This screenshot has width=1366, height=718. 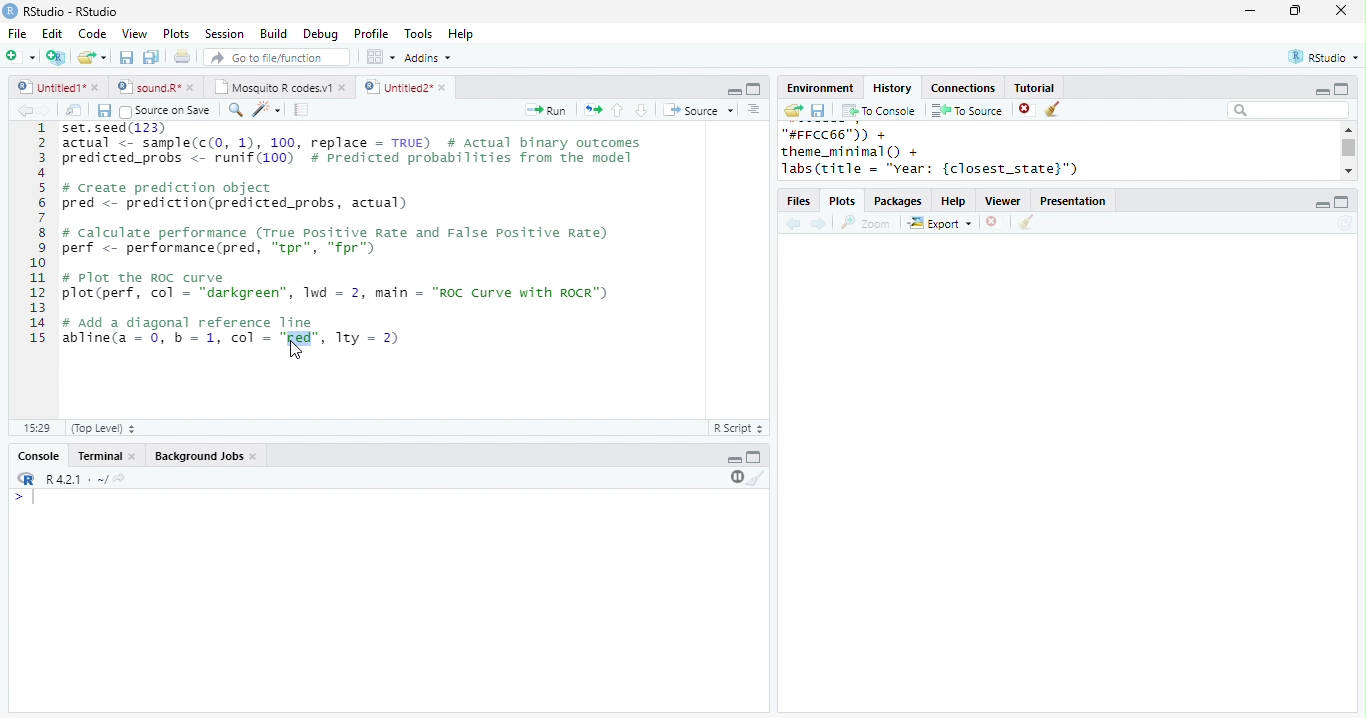 What do you see at coordinates (278, 57) in the screenshot?
I see `search file` at bounding box center [278, 57].